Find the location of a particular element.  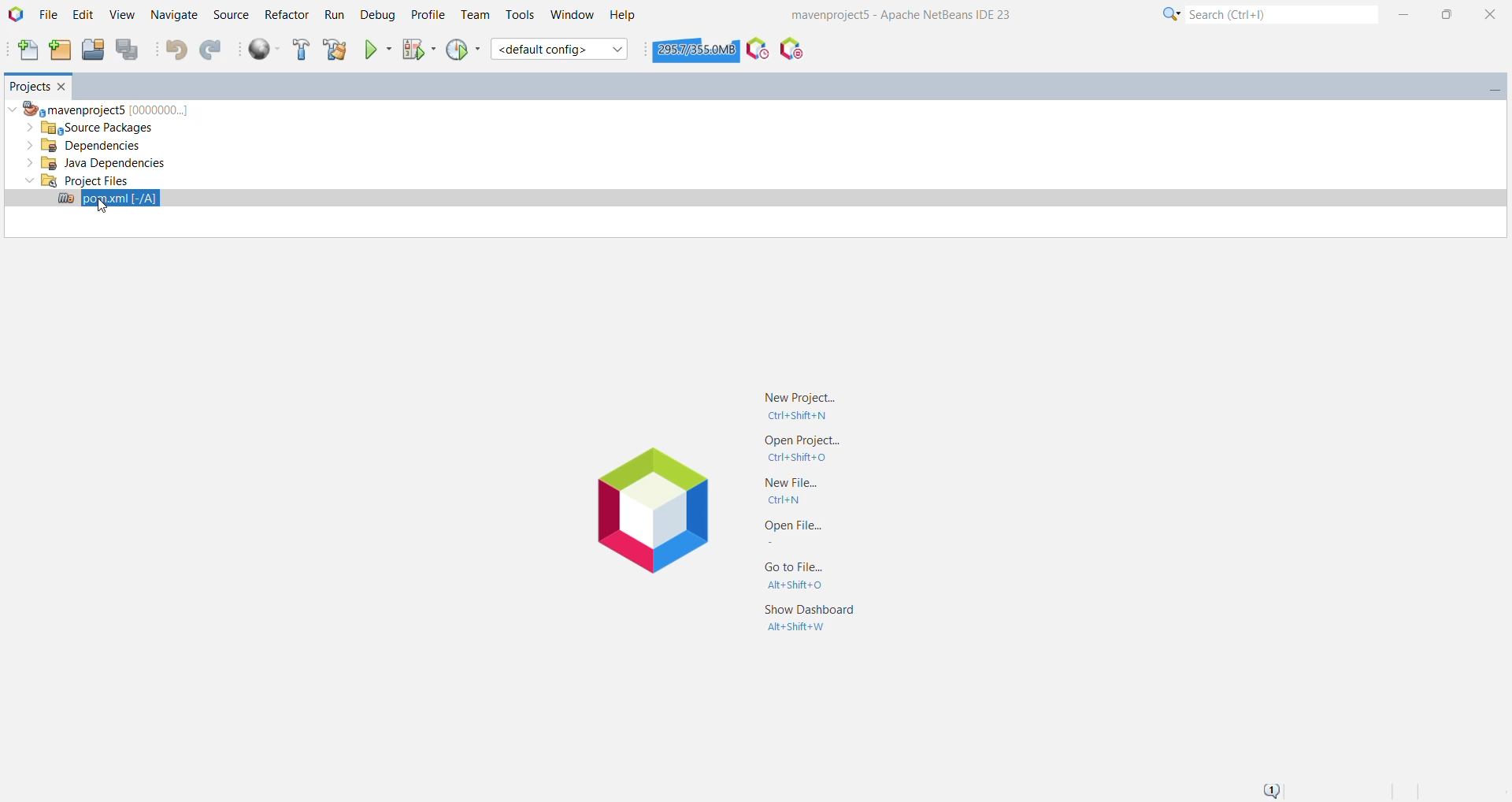

Window is located at coordinates (572, 14).